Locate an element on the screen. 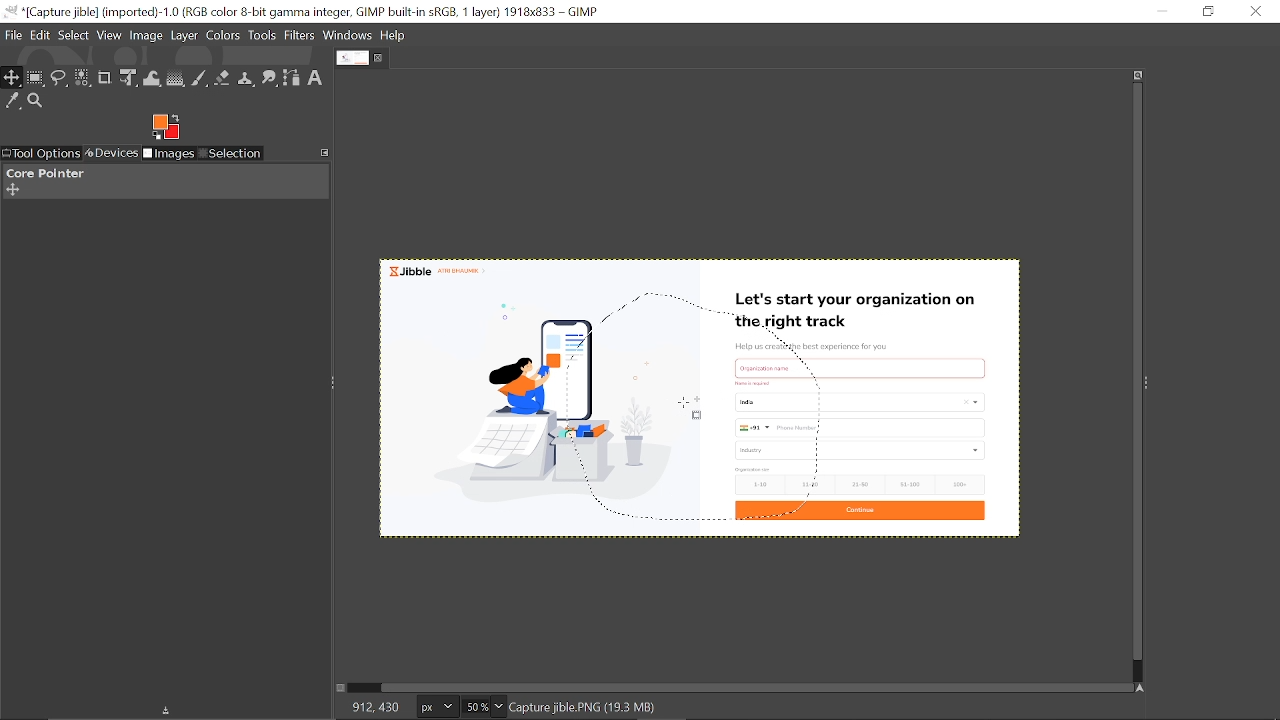 This screenshot has width=1280, height=720. Current Zoom is located at coordinates (474, 707).